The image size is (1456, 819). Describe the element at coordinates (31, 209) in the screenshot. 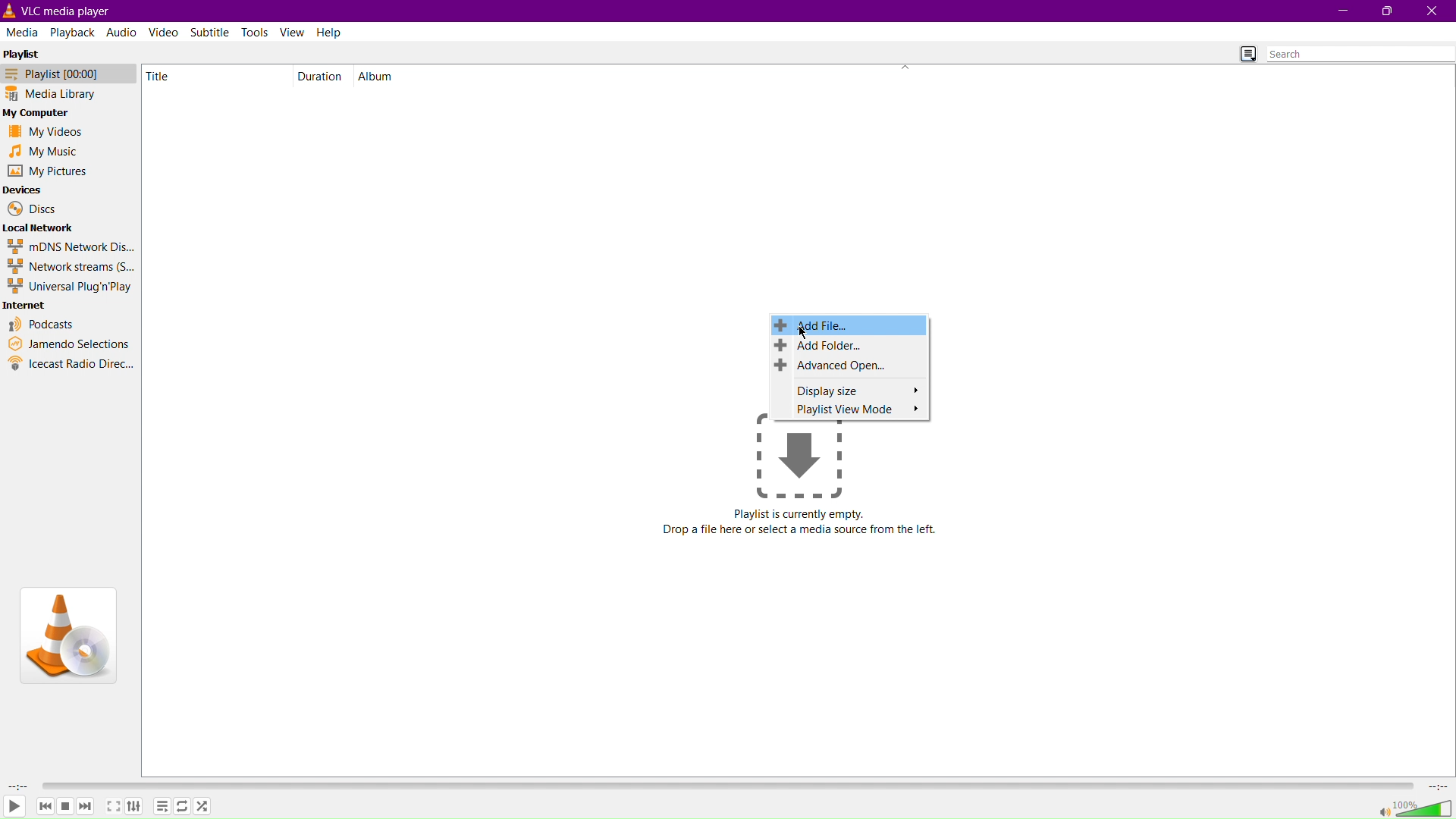

I see `Discs` at that location.